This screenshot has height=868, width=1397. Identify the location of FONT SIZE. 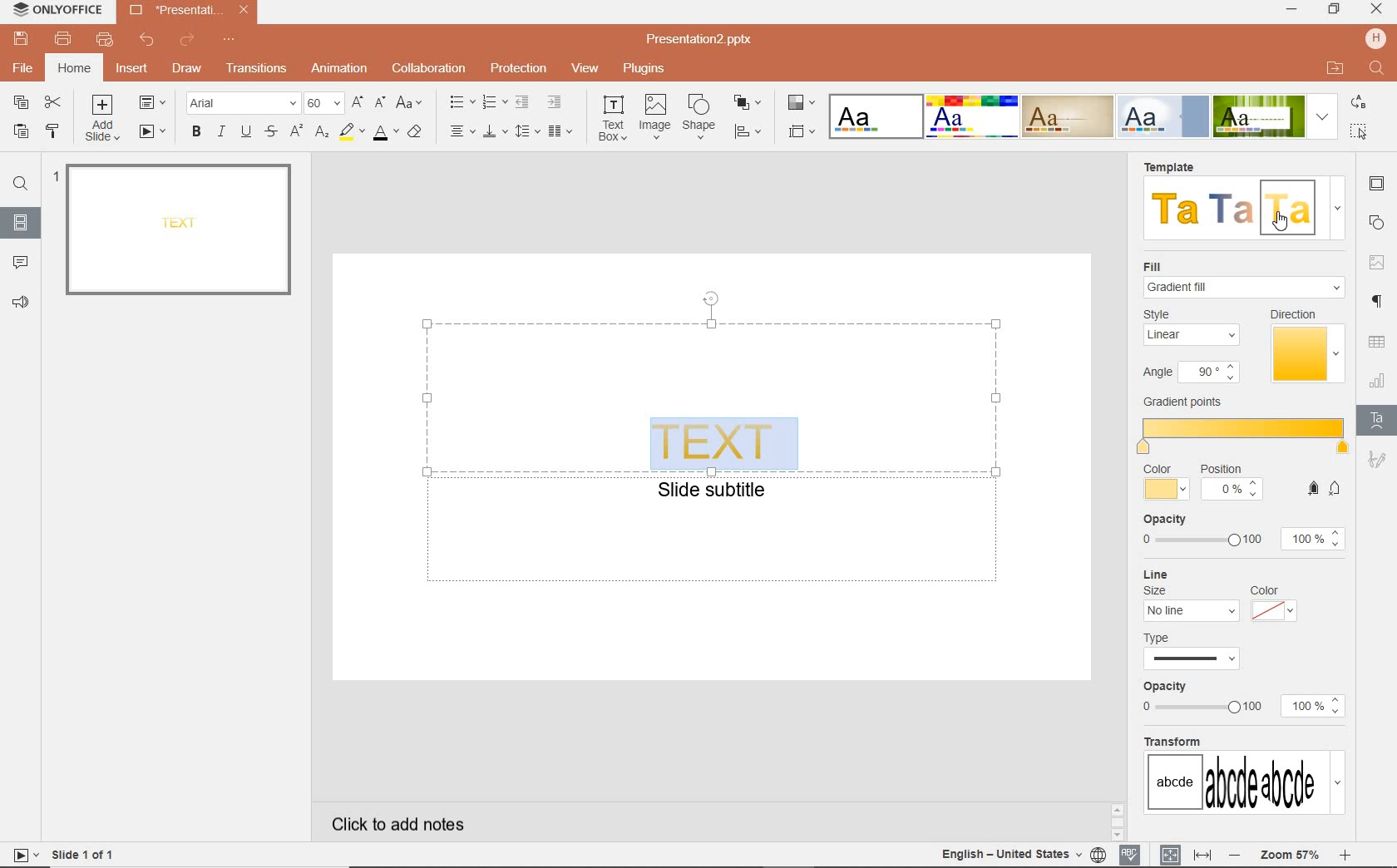
(325, 104).